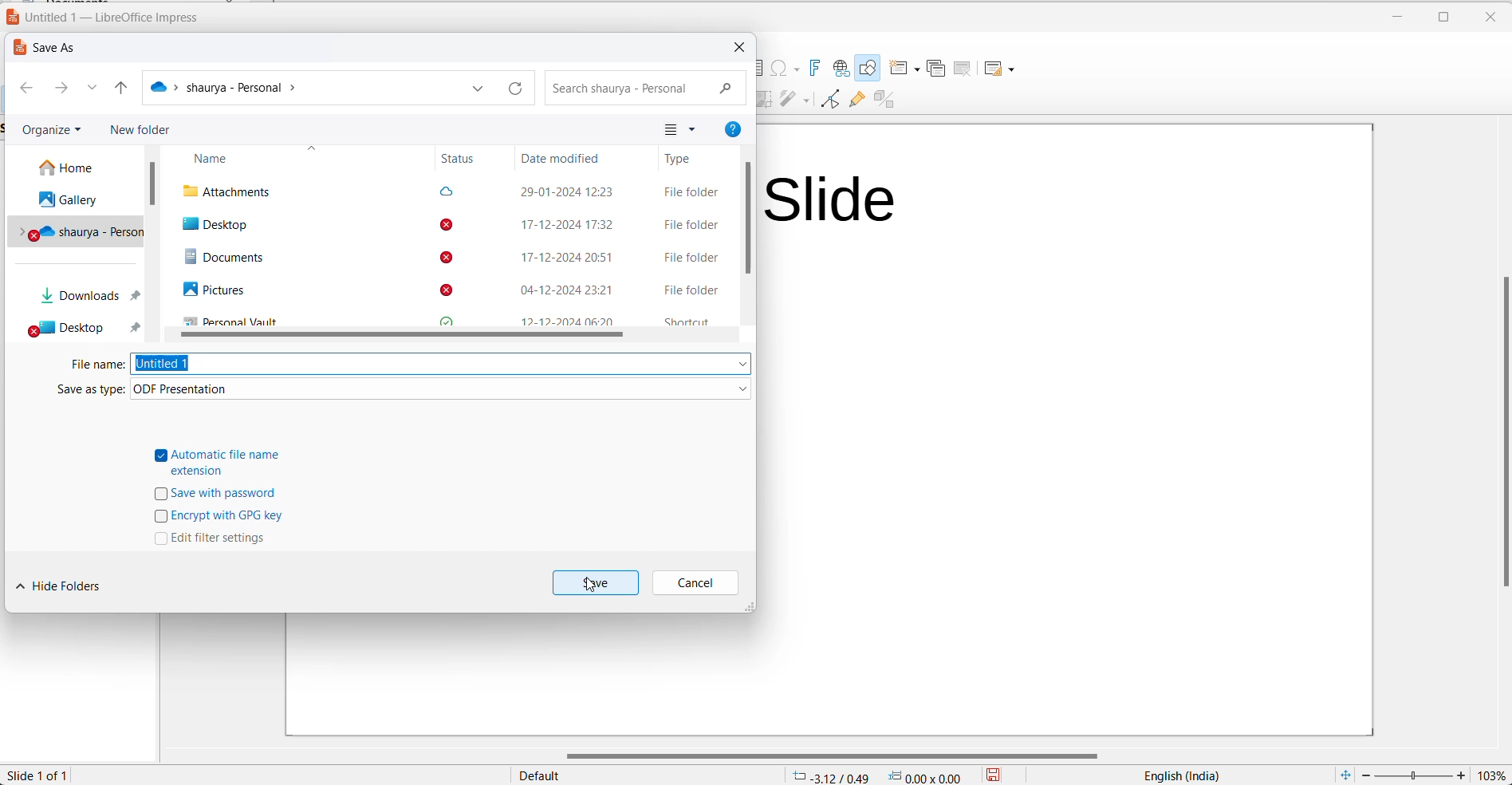  What do you see at coordinates (688, 290) in the screenshot?
I see `File folder` at bounding box center [688, 290].